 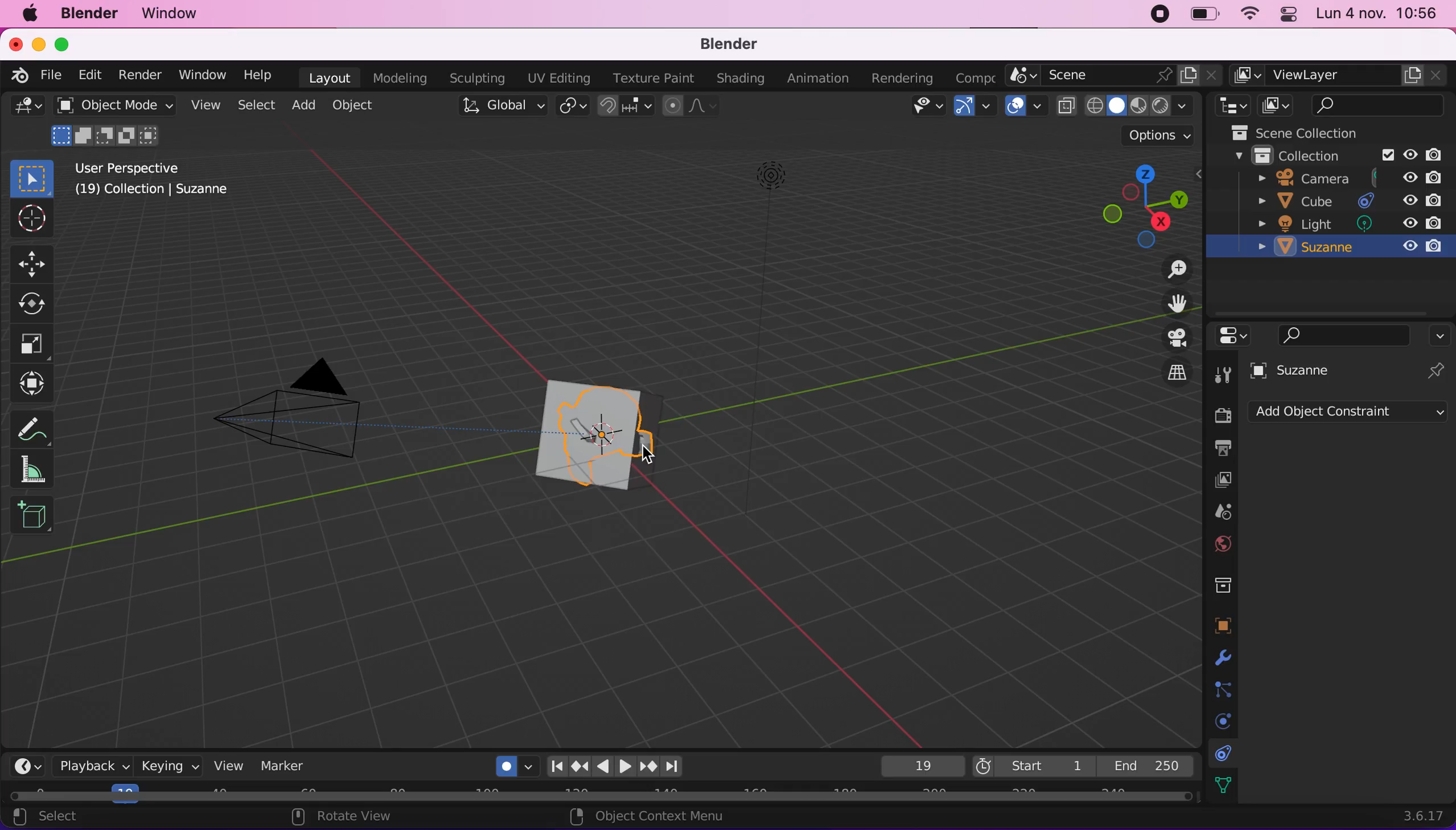 What do you see at coordinates (1096, 107) in the screenshot?
I see `wireframe display` at bounding box center [1096, 107].